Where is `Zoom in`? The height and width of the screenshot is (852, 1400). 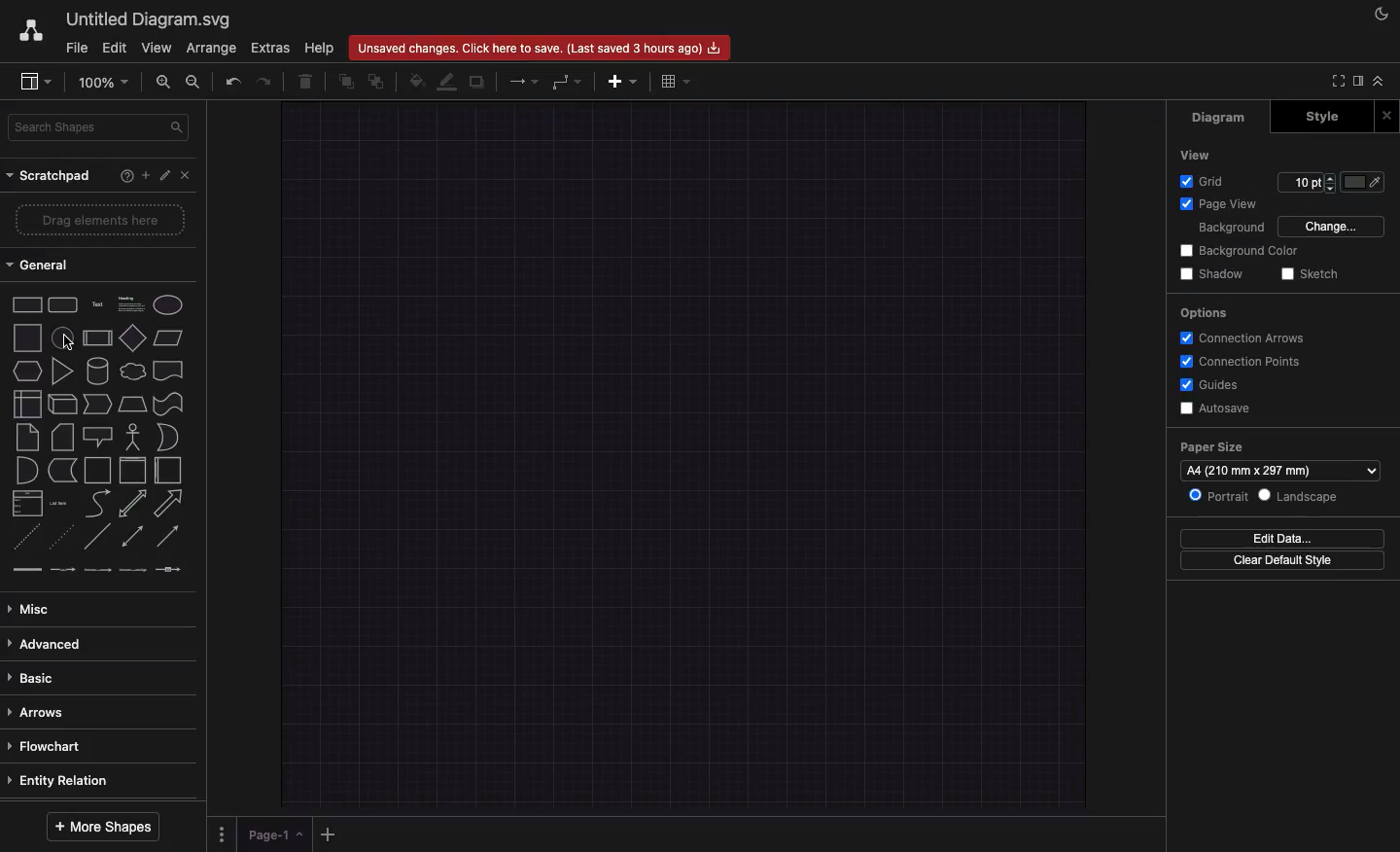 Zoom in is located at coordinates (164, 82).